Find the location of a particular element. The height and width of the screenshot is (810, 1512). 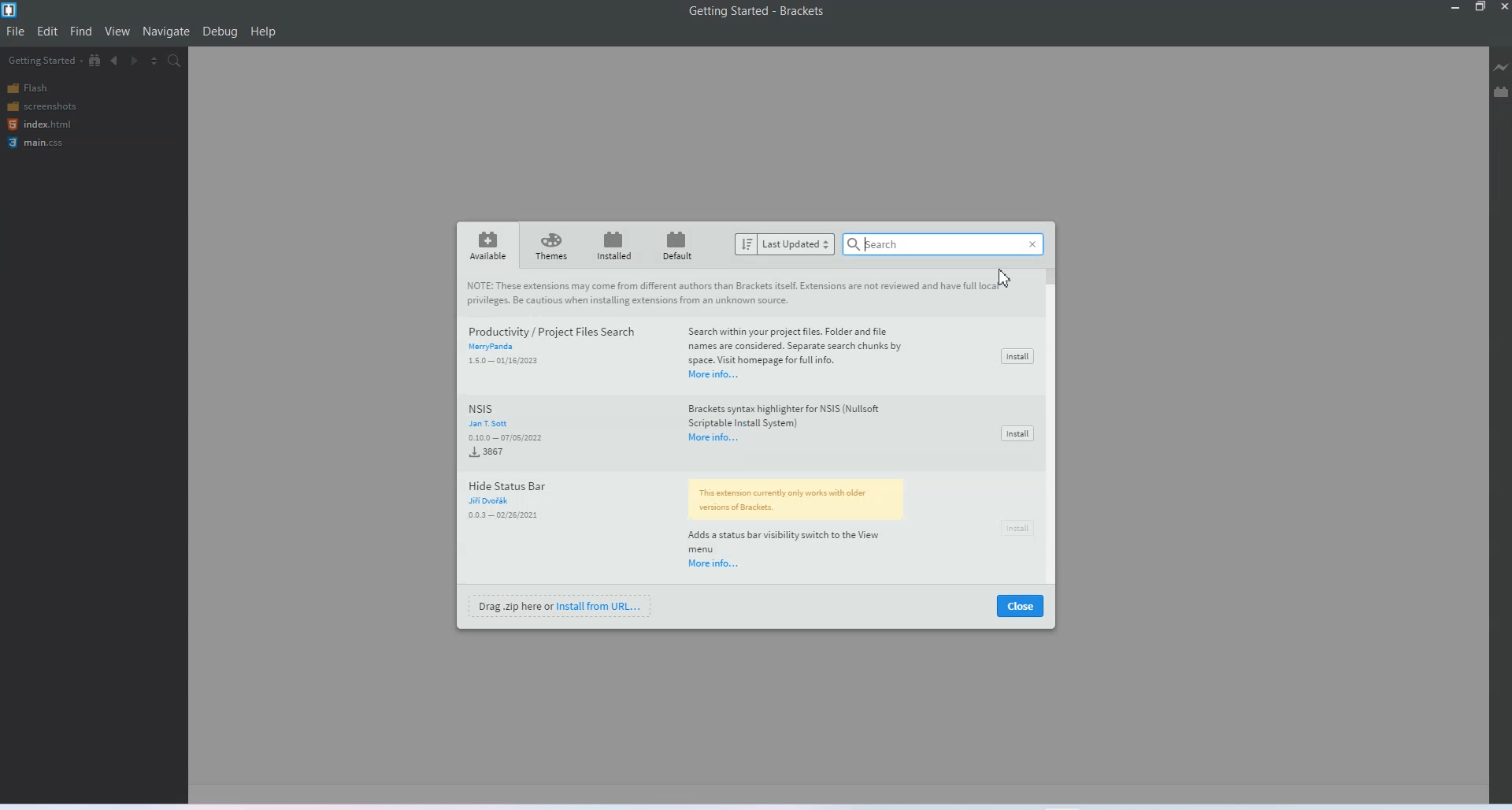

More info is located at coordinates (715, 563).